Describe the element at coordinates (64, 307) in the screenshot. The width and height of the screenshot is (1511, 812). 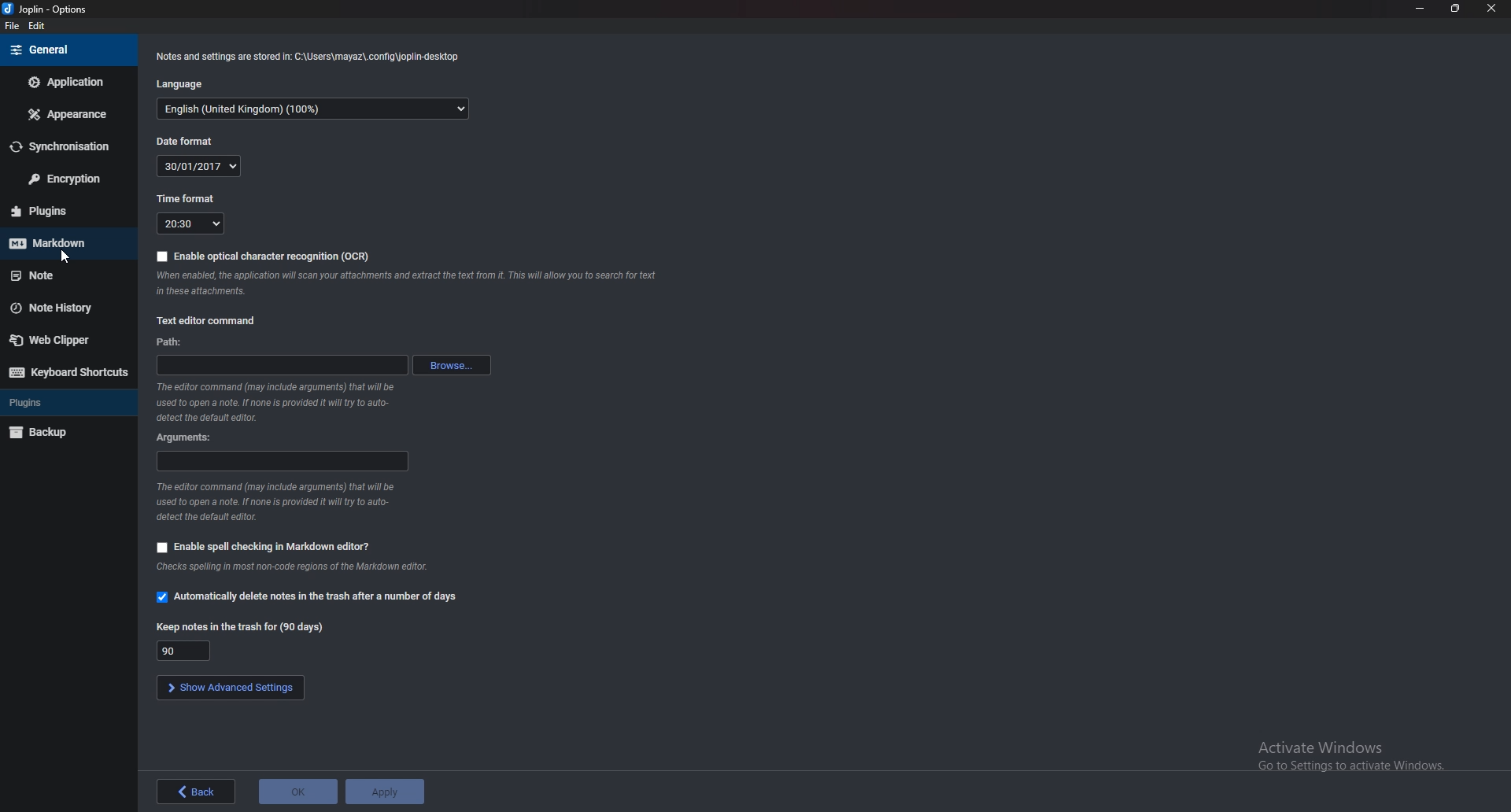
I see `note history` at that location.